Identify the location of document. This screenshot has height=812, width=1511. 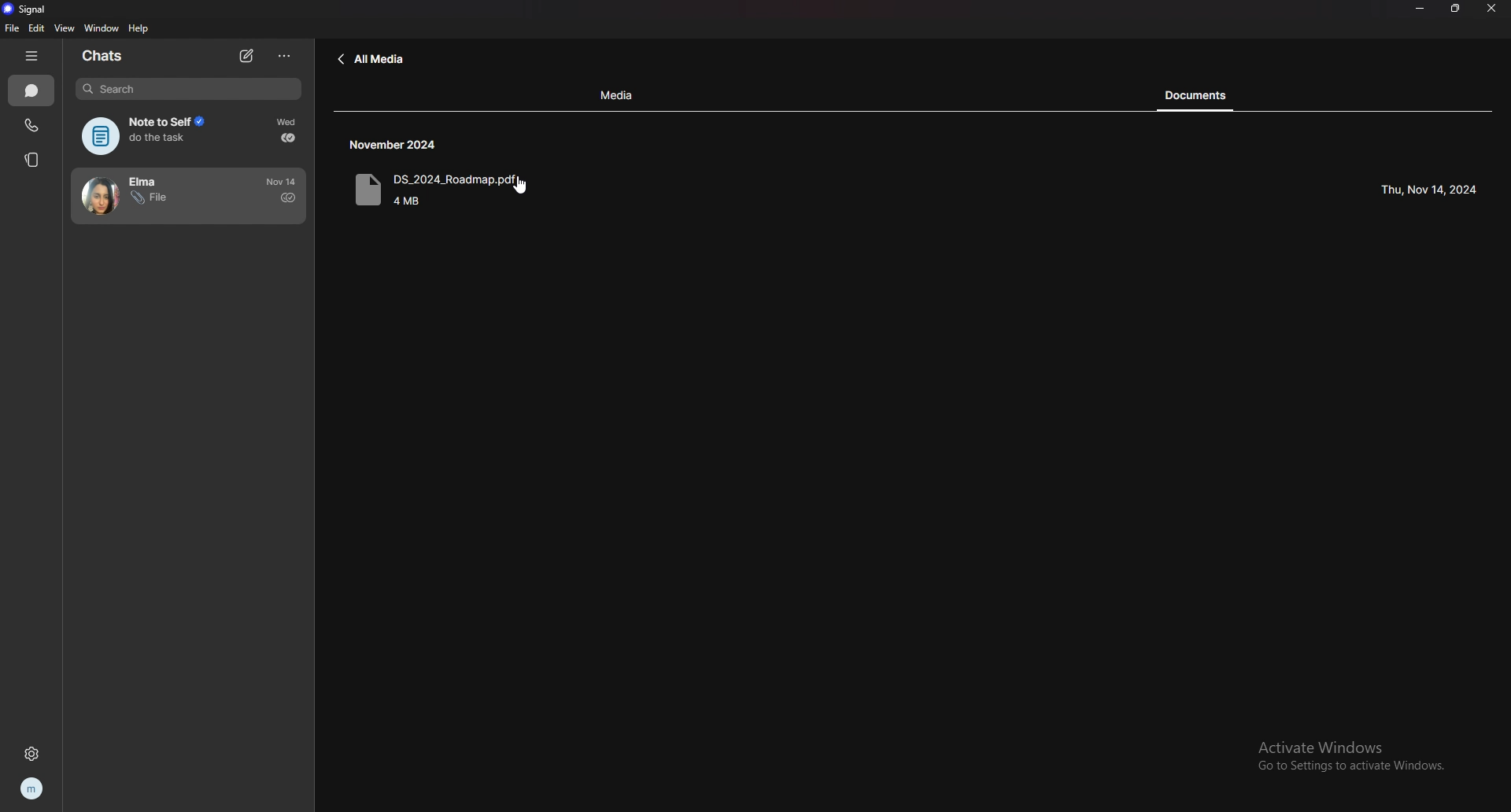
(470, 192).